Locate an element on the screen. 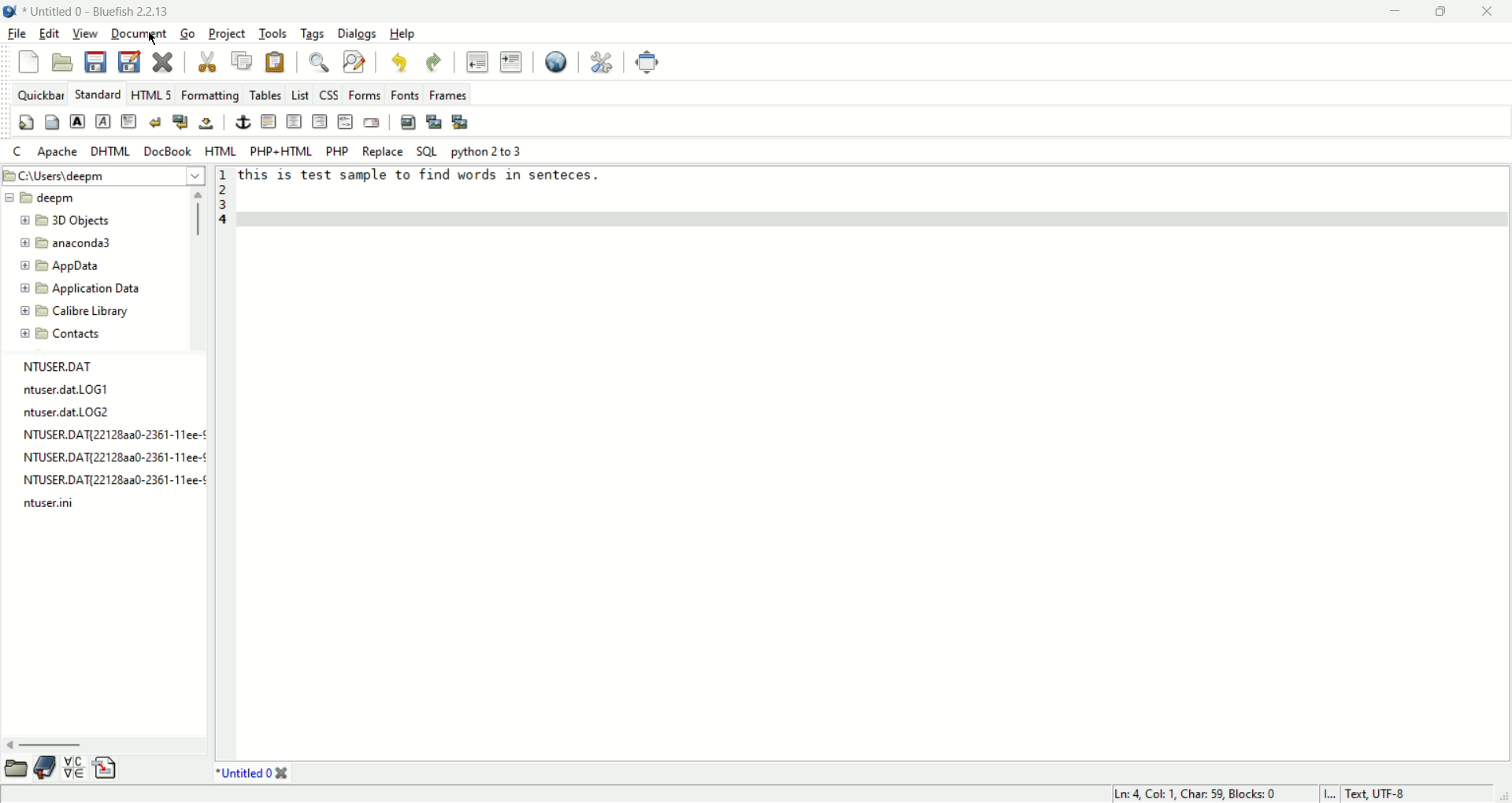  dialogs is located at coordinates (357, 35).